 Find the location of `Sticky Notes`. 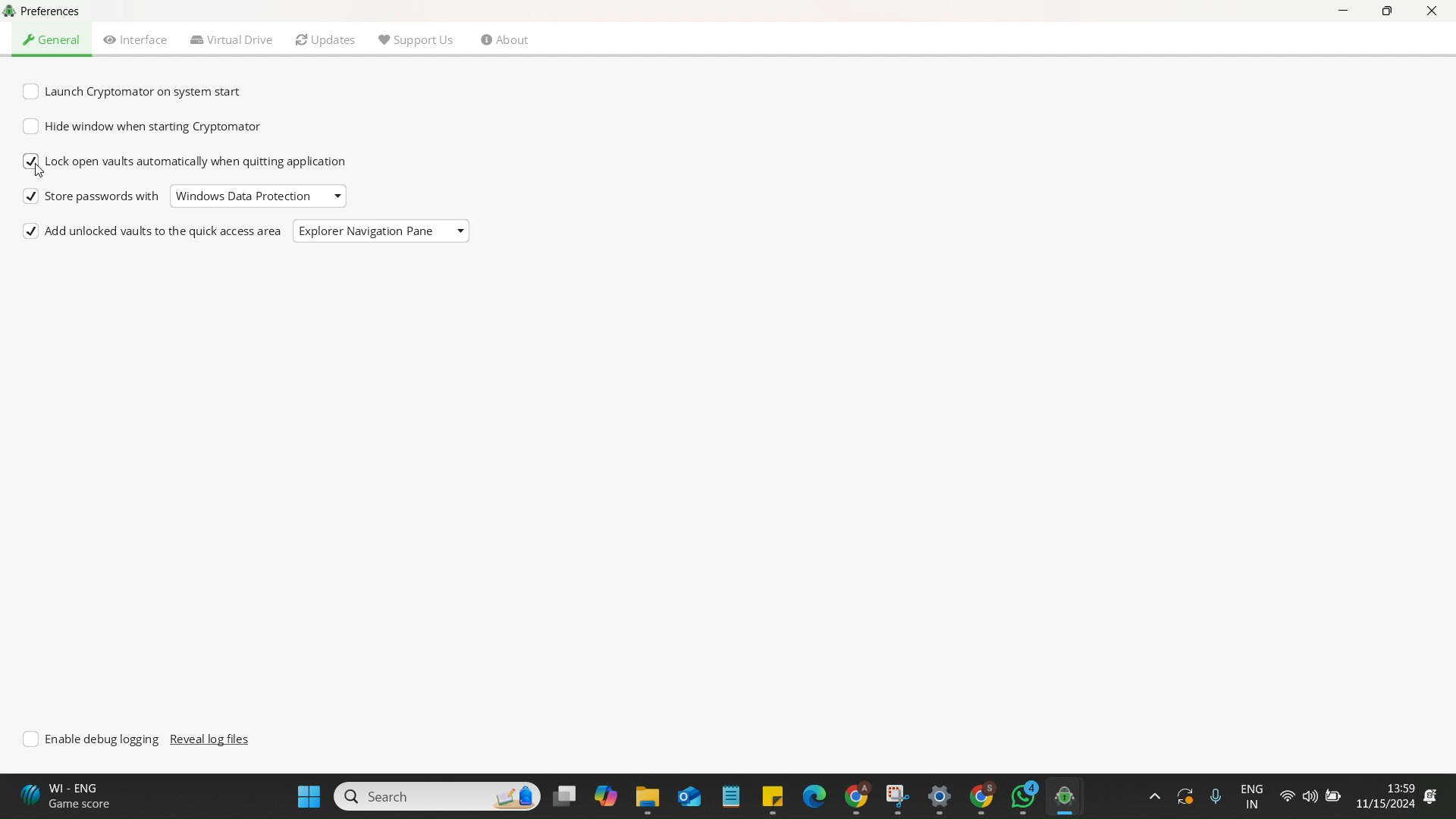

Sticky Notes is located at coordinates (768, 797).